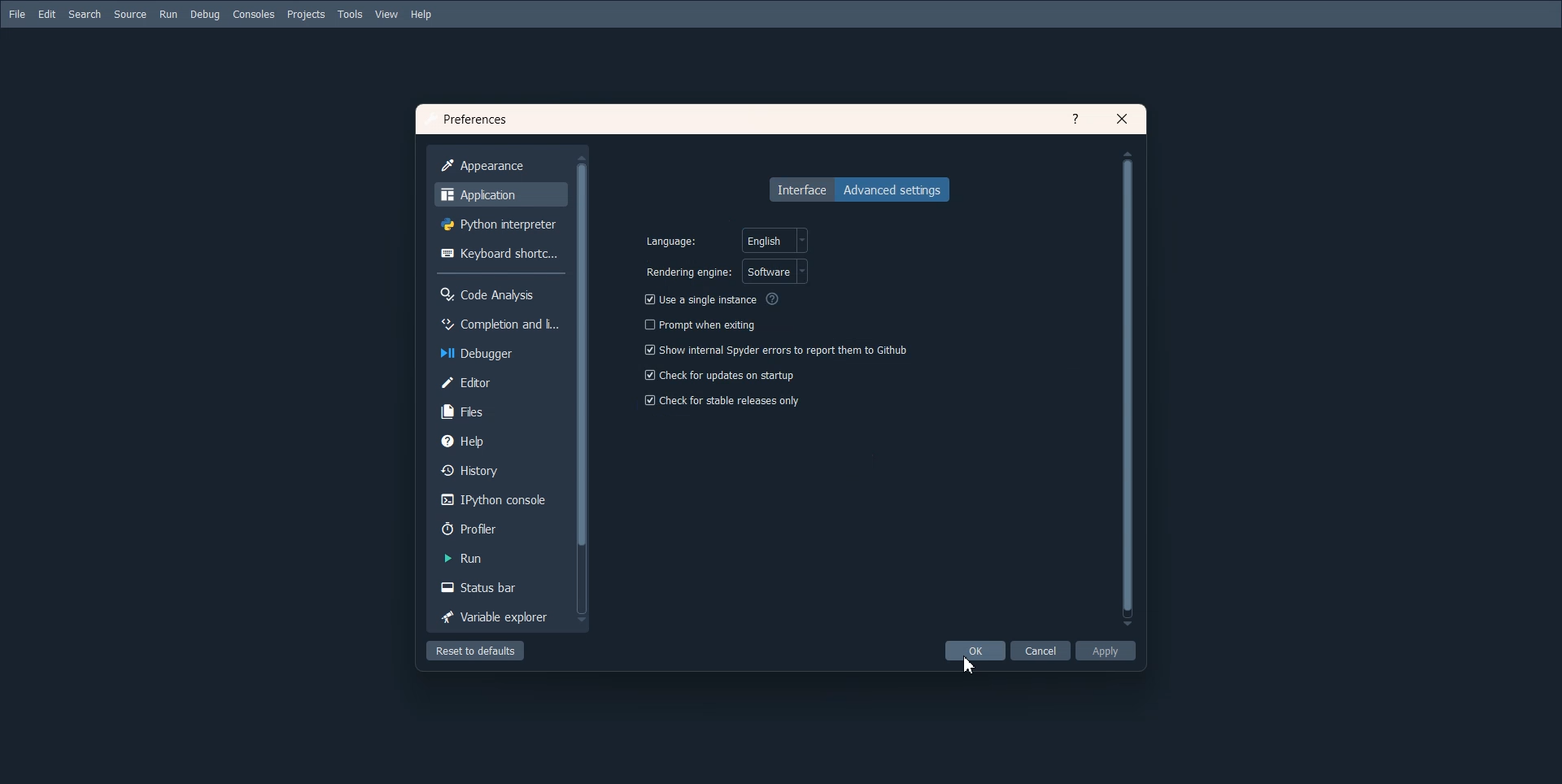 The width and height of the screenshot is (1562, 784). I want to click on Debugger, so click(498, 352).